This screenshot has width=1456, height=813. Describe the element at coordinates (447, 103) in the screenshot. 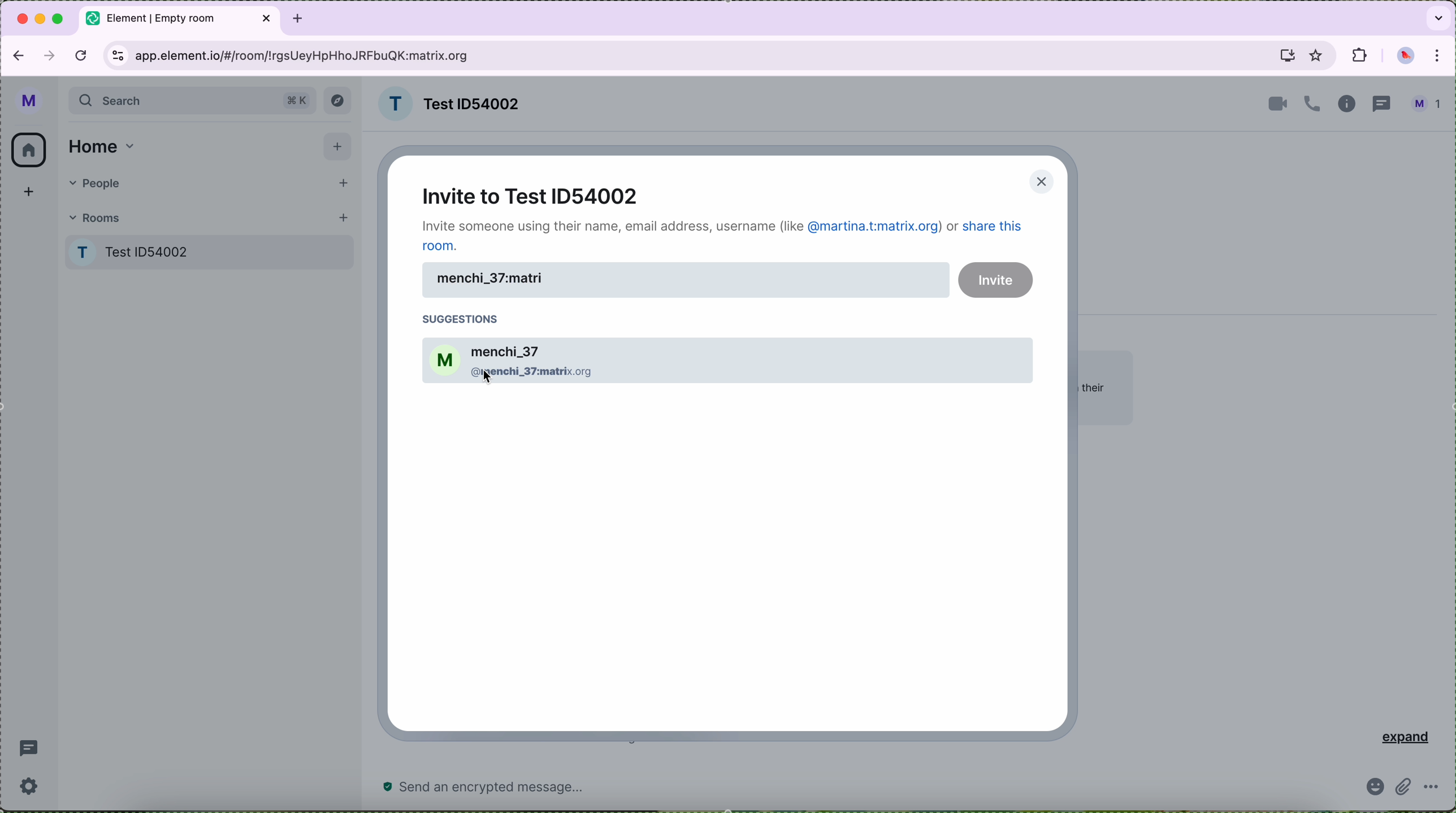

I see `room name` at that location.